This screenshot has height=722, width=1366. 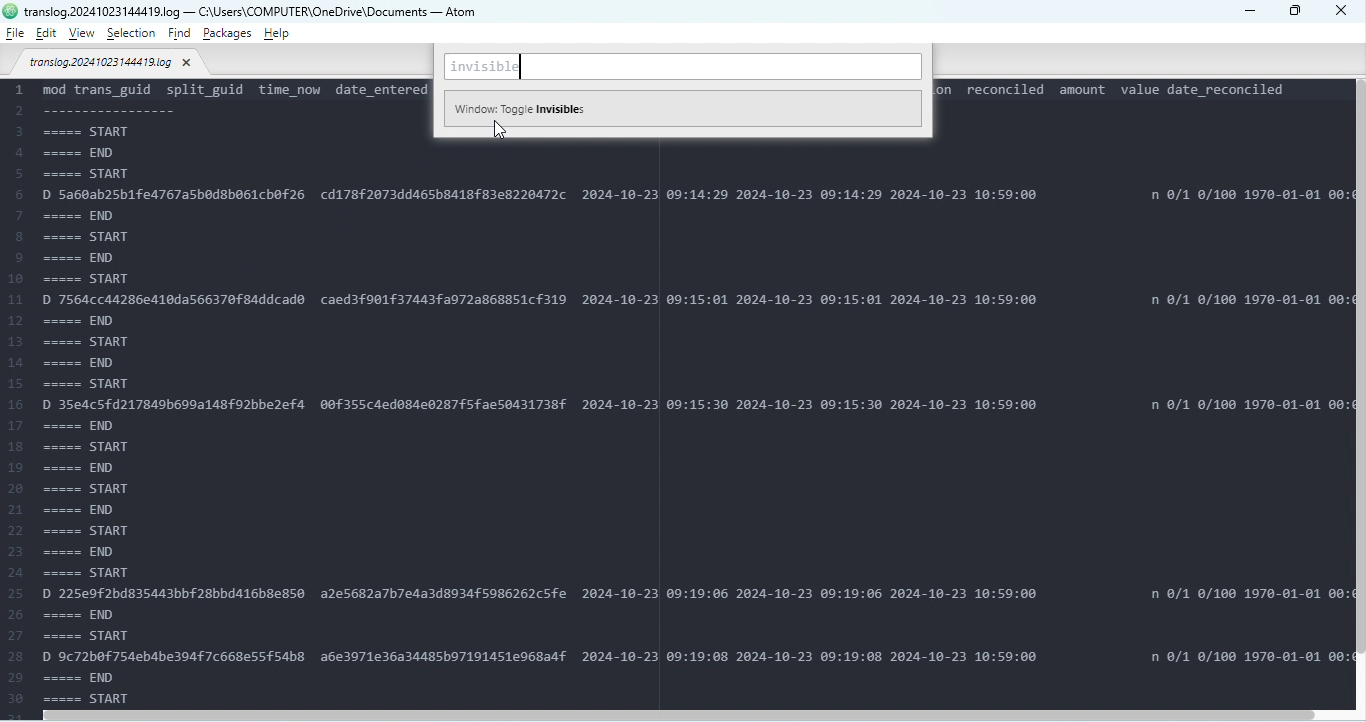 I want to click on Search bar, so click(x=685, y=68).